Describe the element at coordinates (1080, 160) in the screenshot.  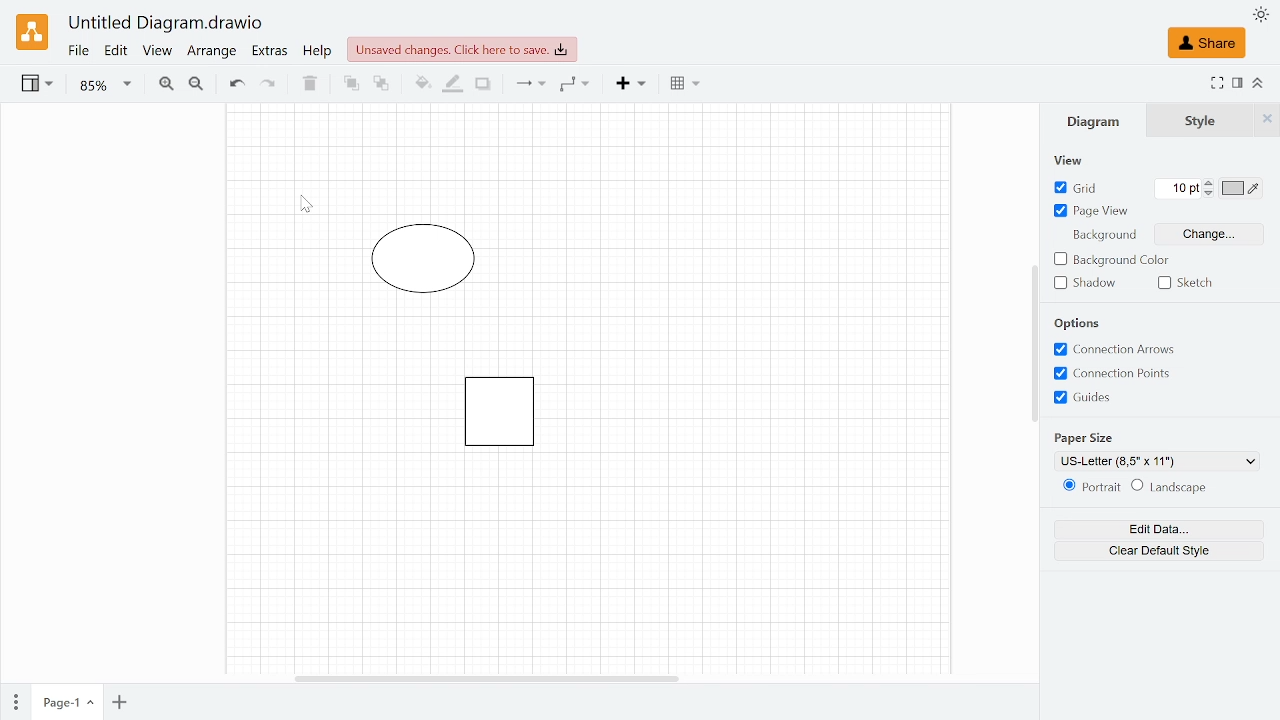
I see `View` at that location.